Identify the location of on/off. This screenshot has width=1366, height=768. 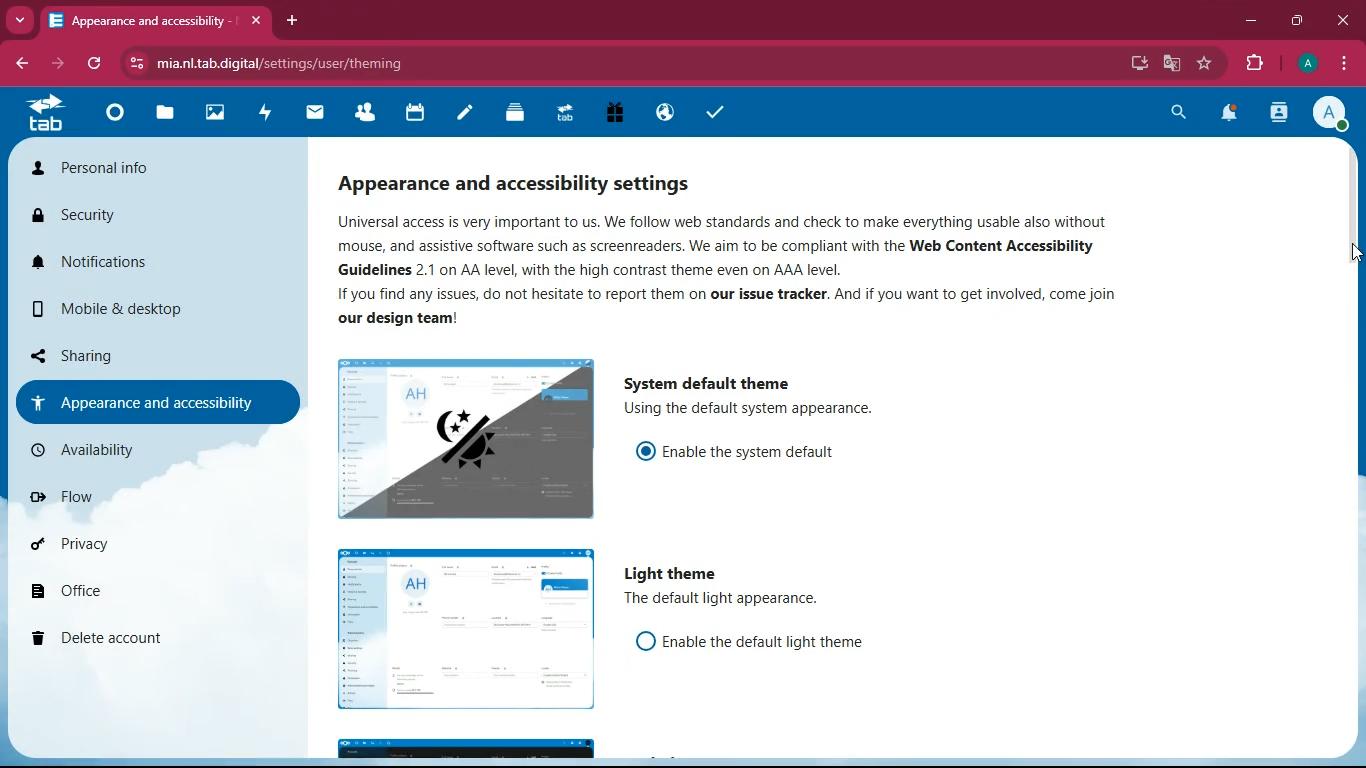
(637, 640).